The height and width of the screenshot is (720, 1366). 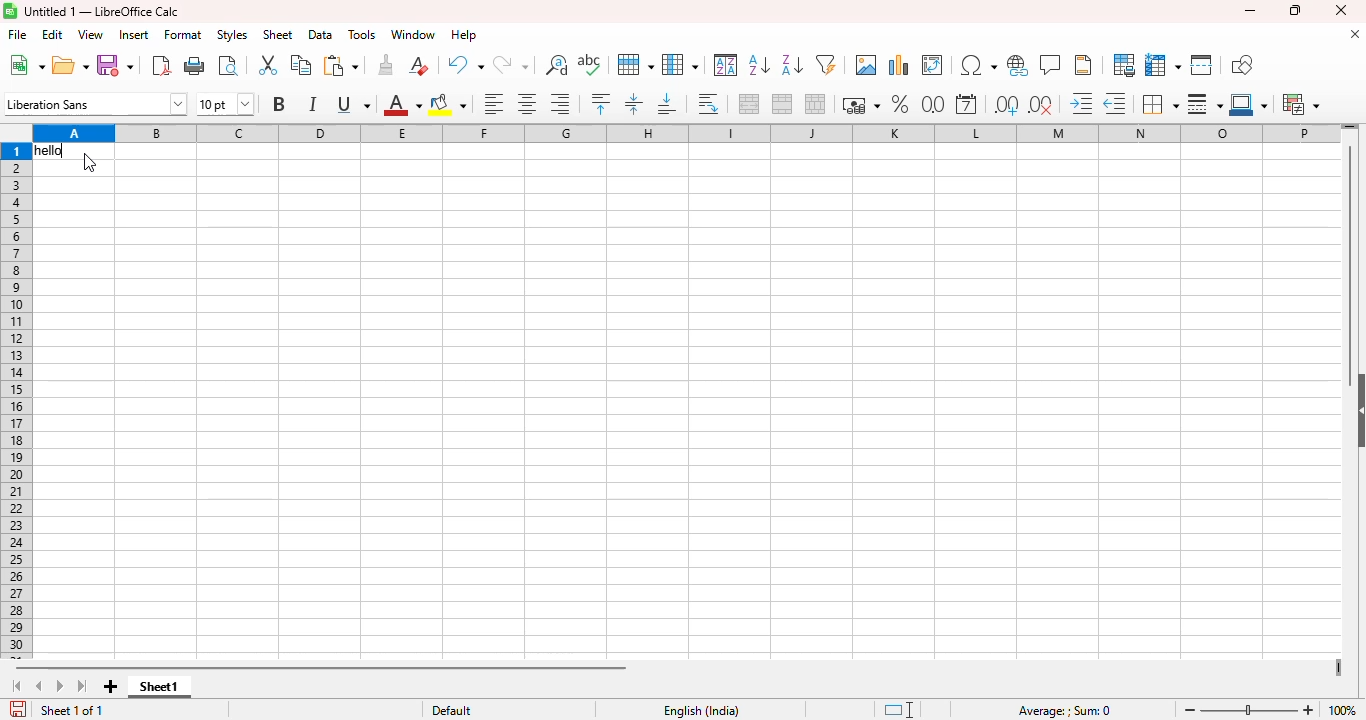 I want to click on font name, so click(x=95, y=103).